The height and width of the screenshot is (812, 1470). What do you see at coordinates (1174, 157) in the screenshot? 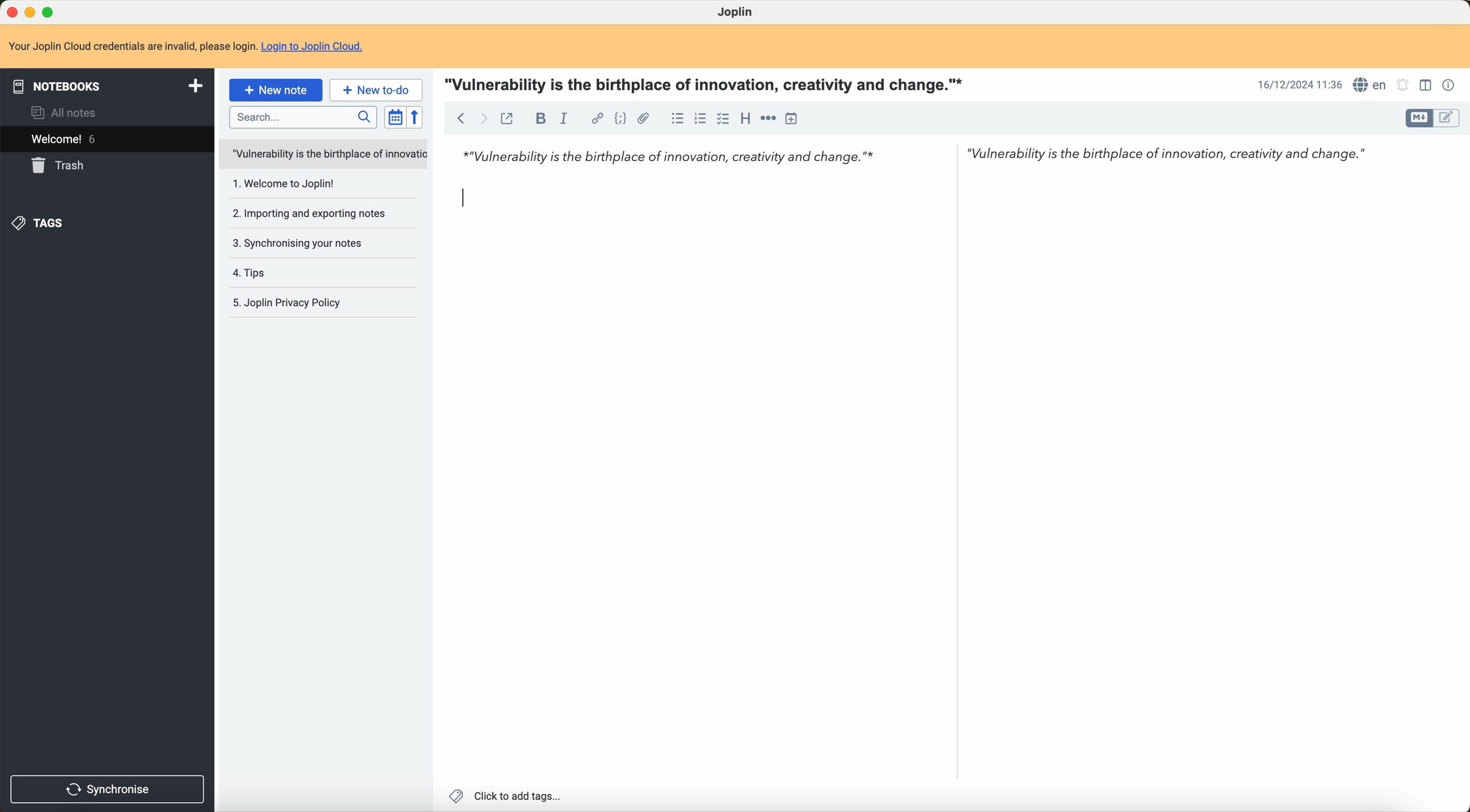
I see `"Vulnerability is the birthplace of innovation, creativity and change."` at bounding box center [1174, 157].